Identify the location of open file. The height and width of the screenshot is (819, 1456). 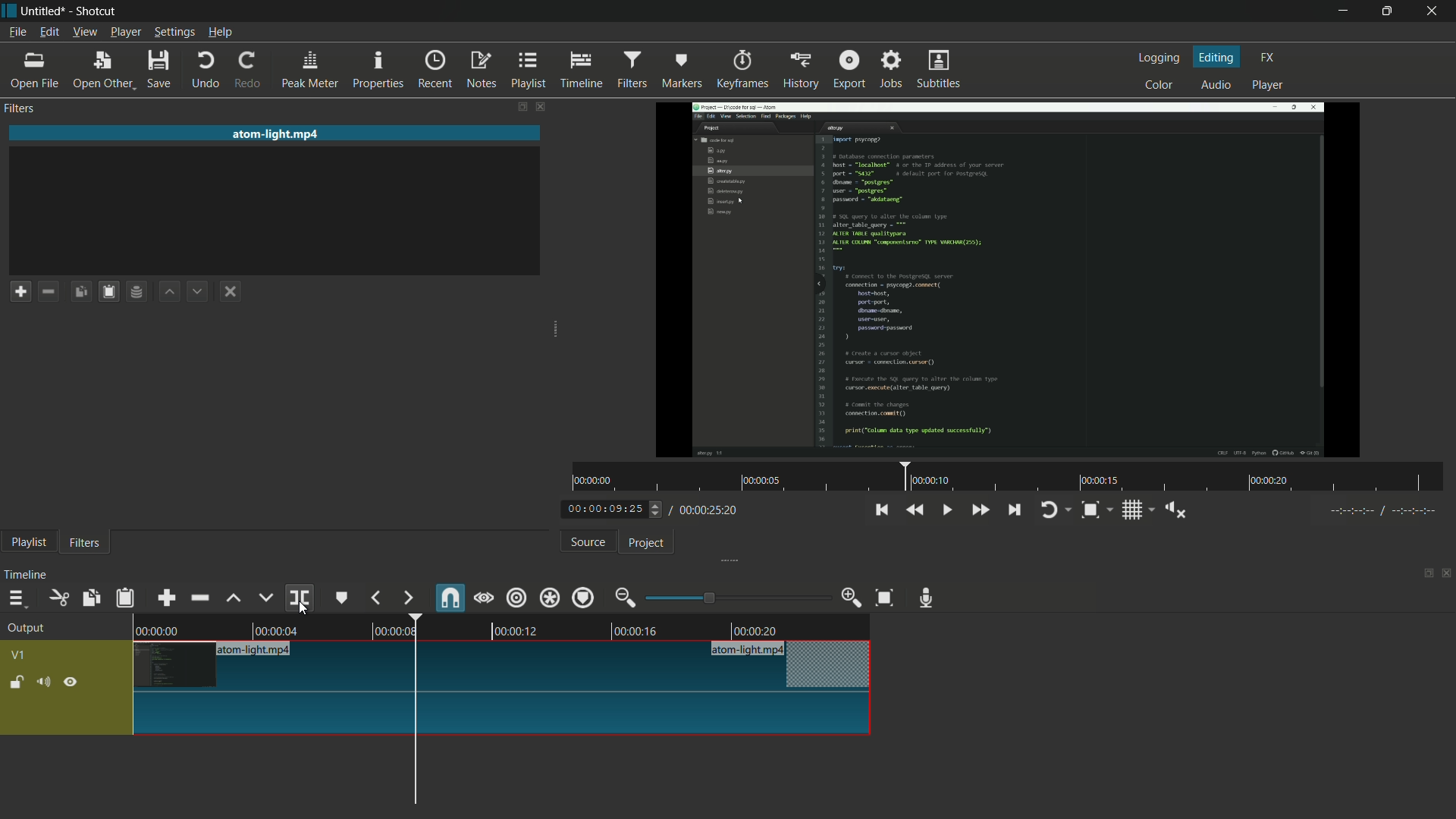
(34, 71).